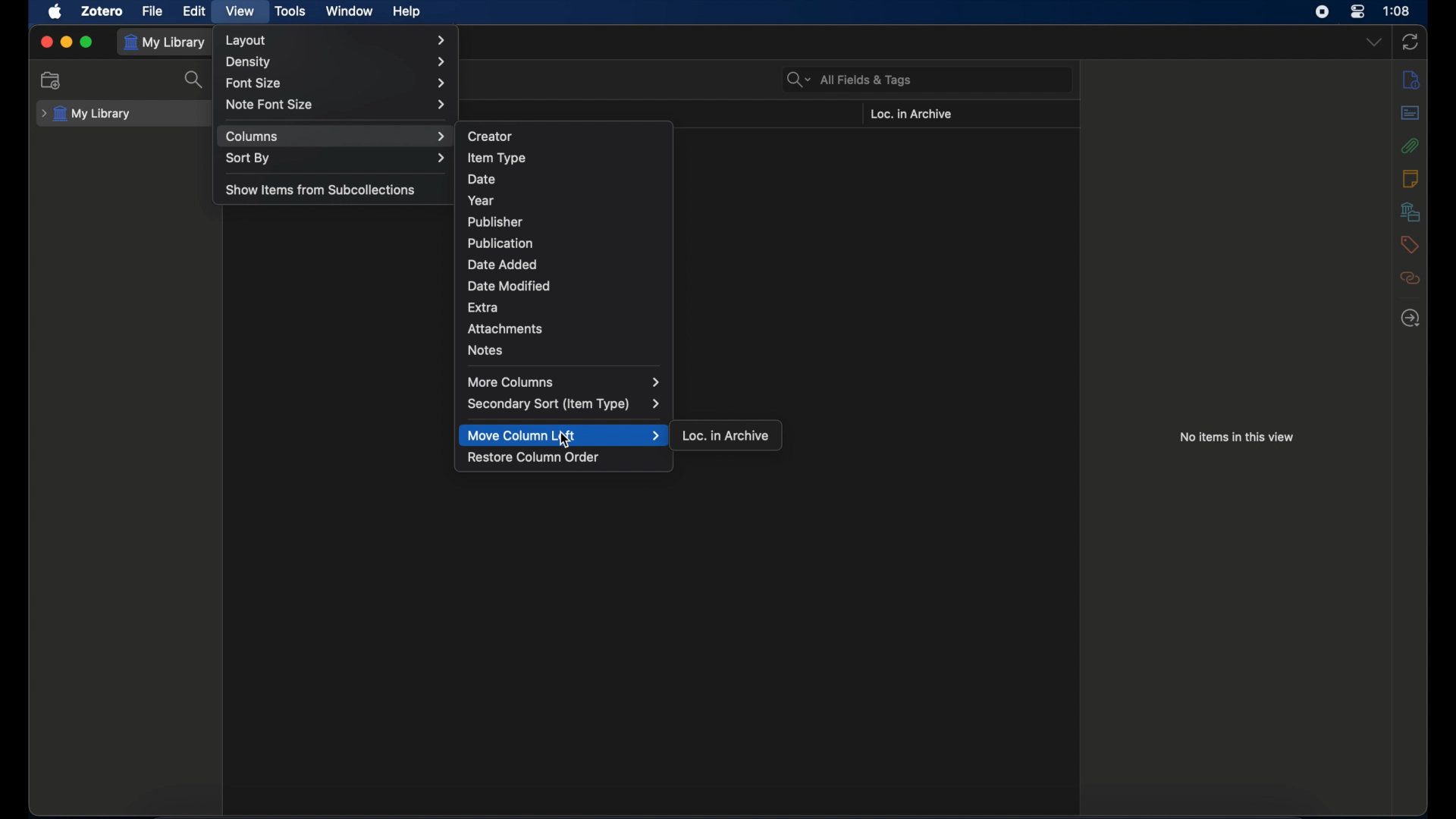 The image size is (1456, 819). What do you see at coordinates (482, 180) in the screenshot?
I see `date` at bounding box center [482, 180].